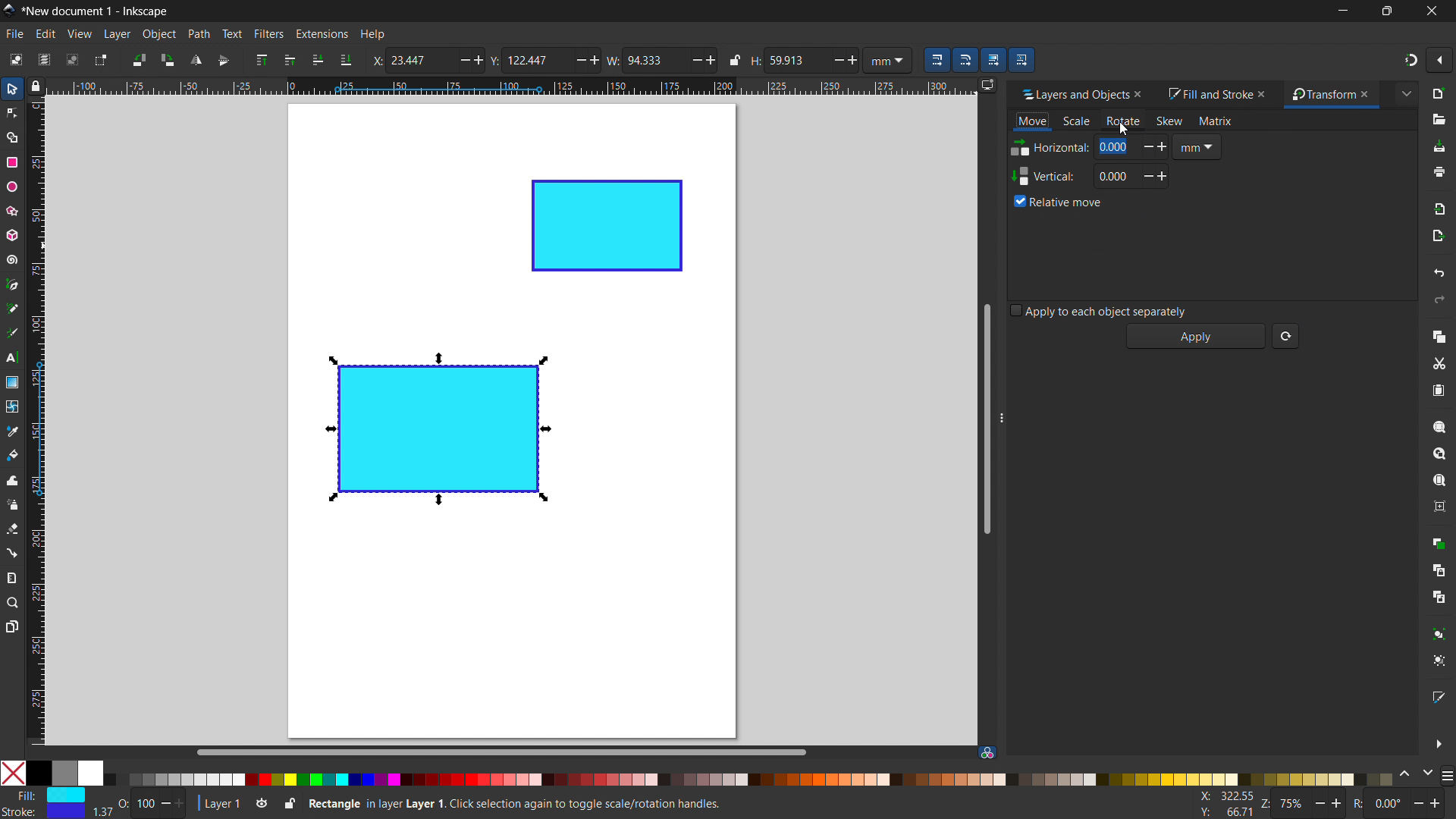 The image size is (1456, 819). What do you see at coordinates (1130, 177) in the screenshot?
I see `0.00` at bounding box center [1130, 177].